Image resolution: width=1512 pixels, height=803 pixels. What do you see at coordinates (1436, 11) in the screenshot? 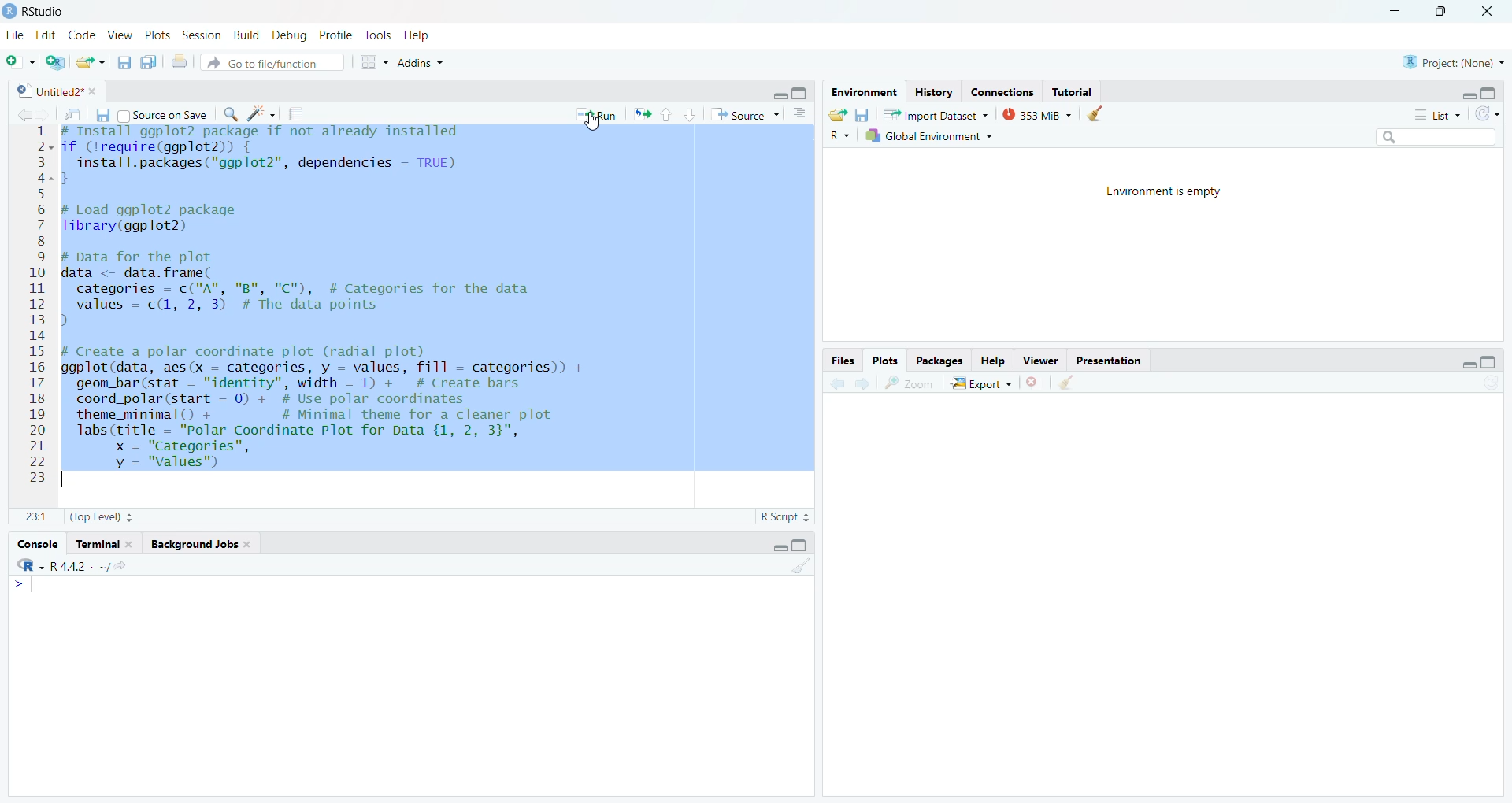
I see `maximize` at bounding box center [1436, 11].